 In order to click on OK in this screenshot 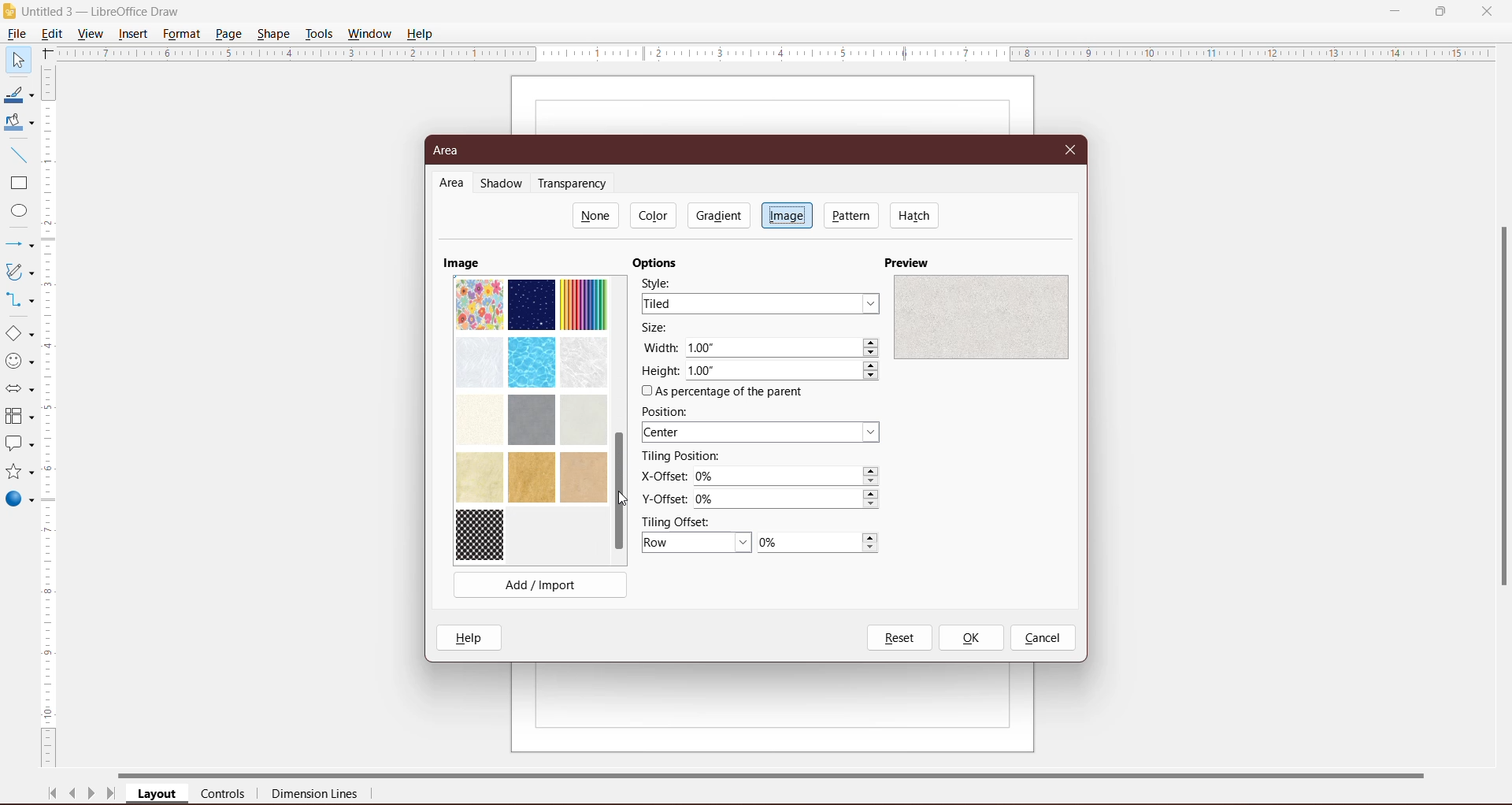, I will do `click(970, 638)`.